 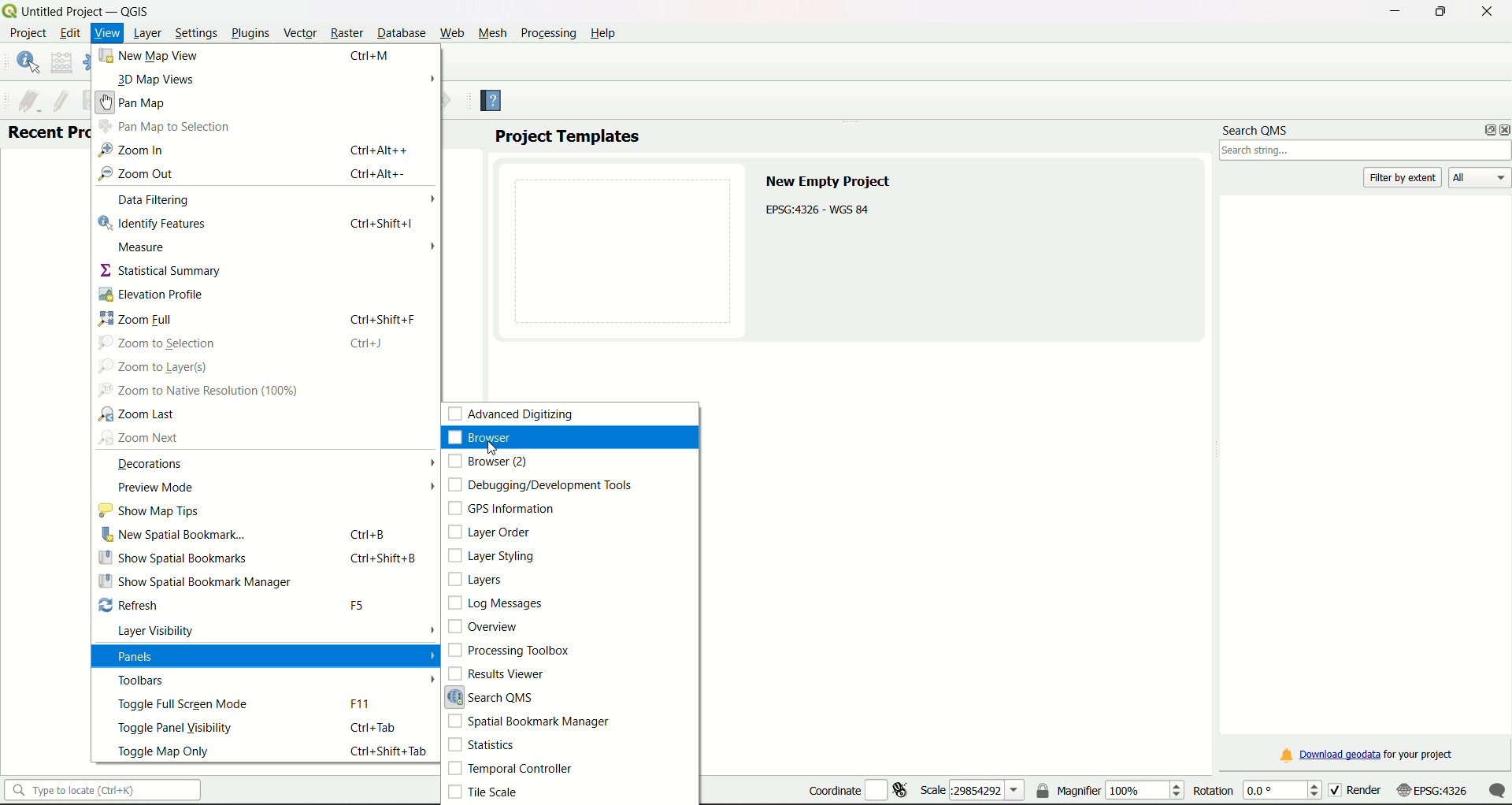 What do you see at coordinates (358, 607) in the screenshot?
I see `F5` at bounding box center [358, 607].